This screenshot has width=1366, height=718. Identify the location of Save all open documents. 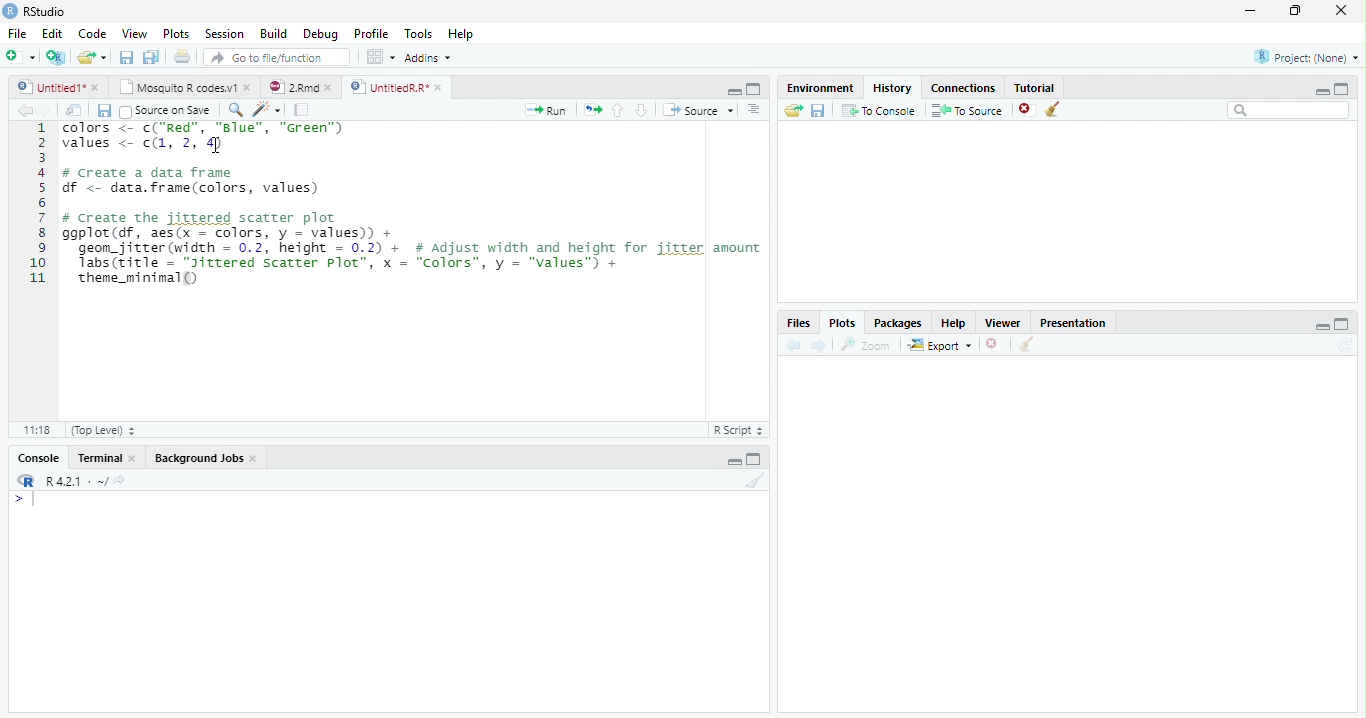
(152, 57).